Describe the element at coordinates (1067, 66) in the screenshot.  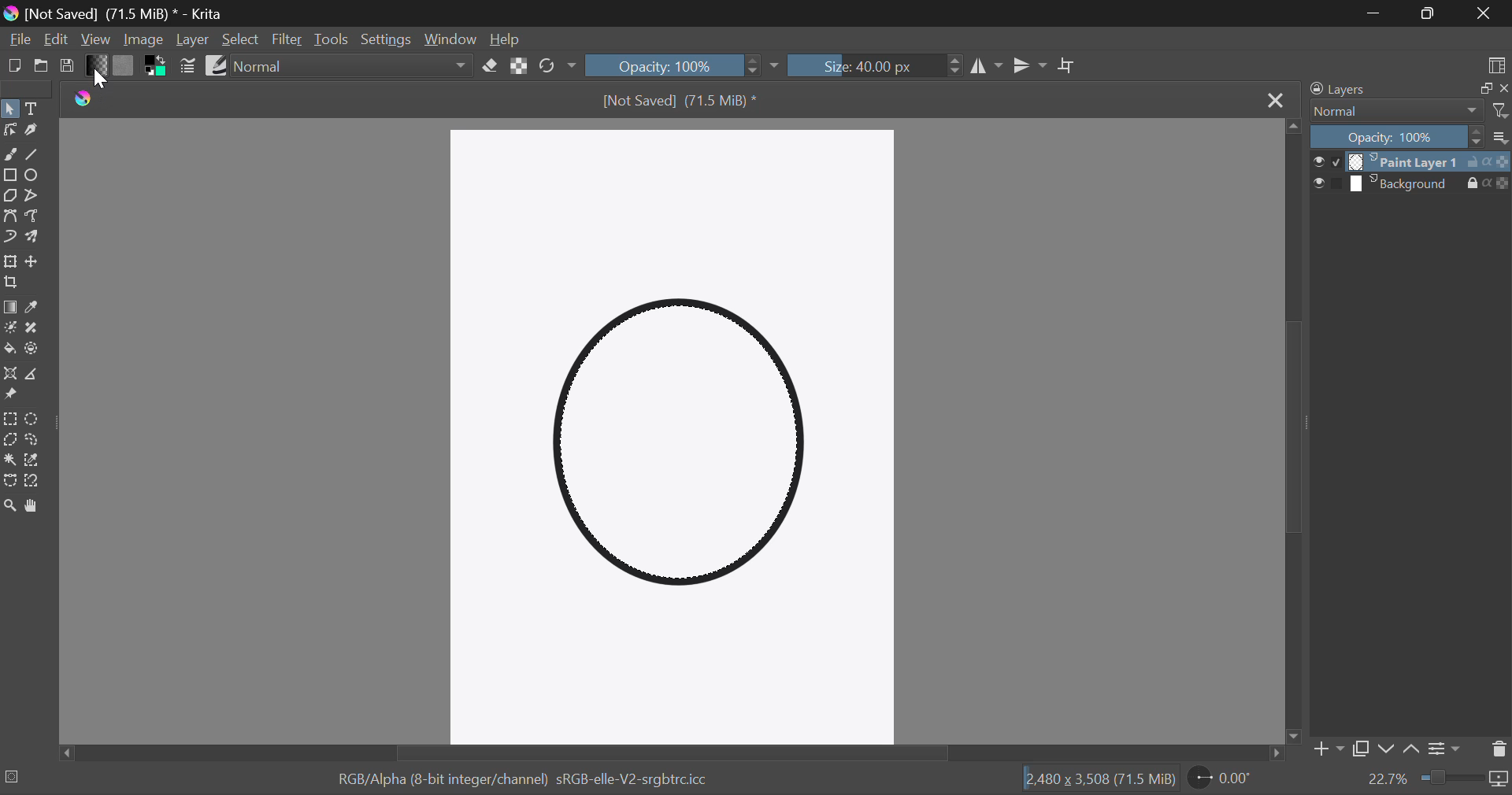
I see `Crop` at that location.